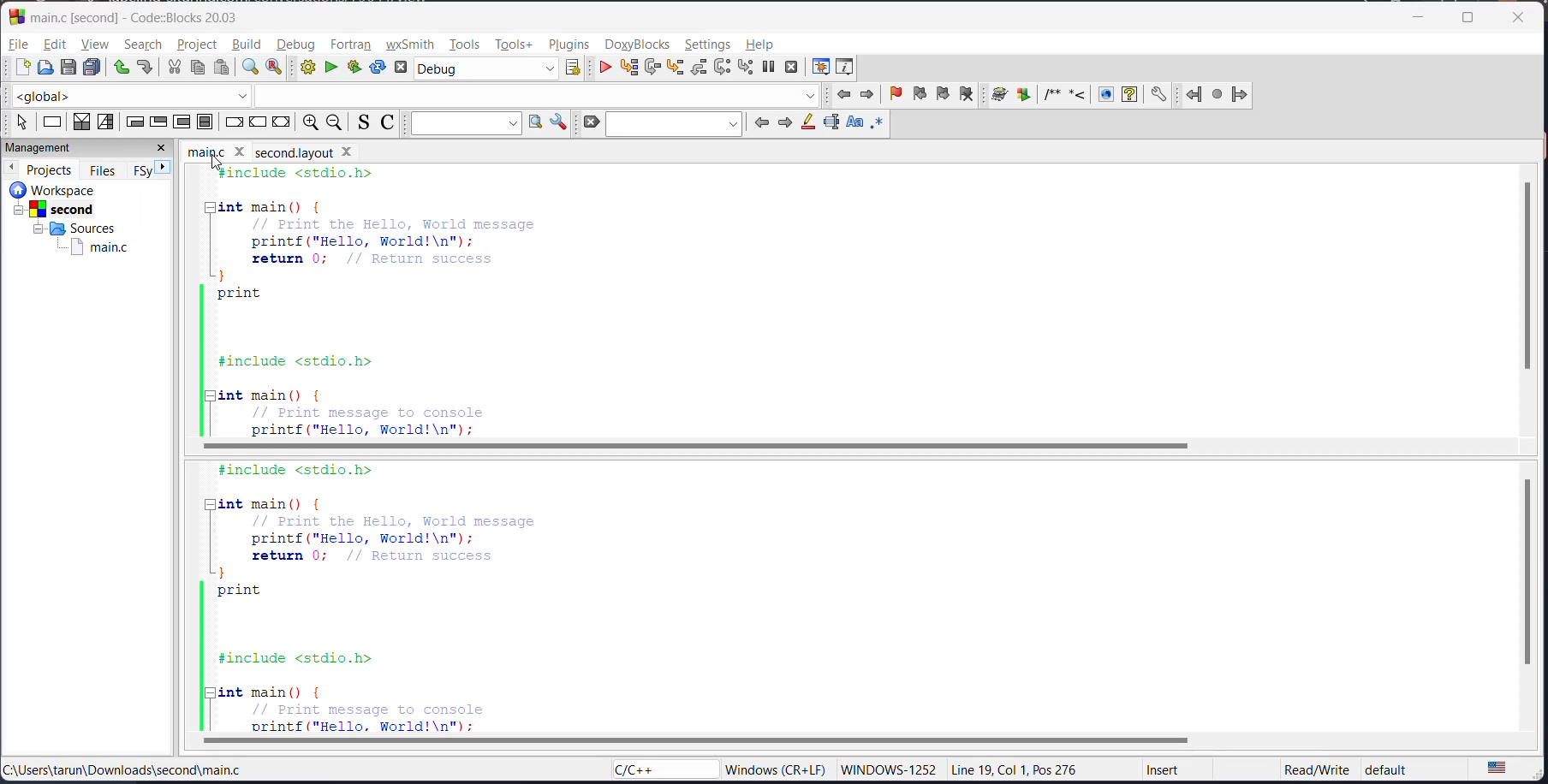 The image size is (1548, 784). What do you see at coordinates (1164, 771) in the screenshot?
I see `Insert` at bounding box center [1164, 771].